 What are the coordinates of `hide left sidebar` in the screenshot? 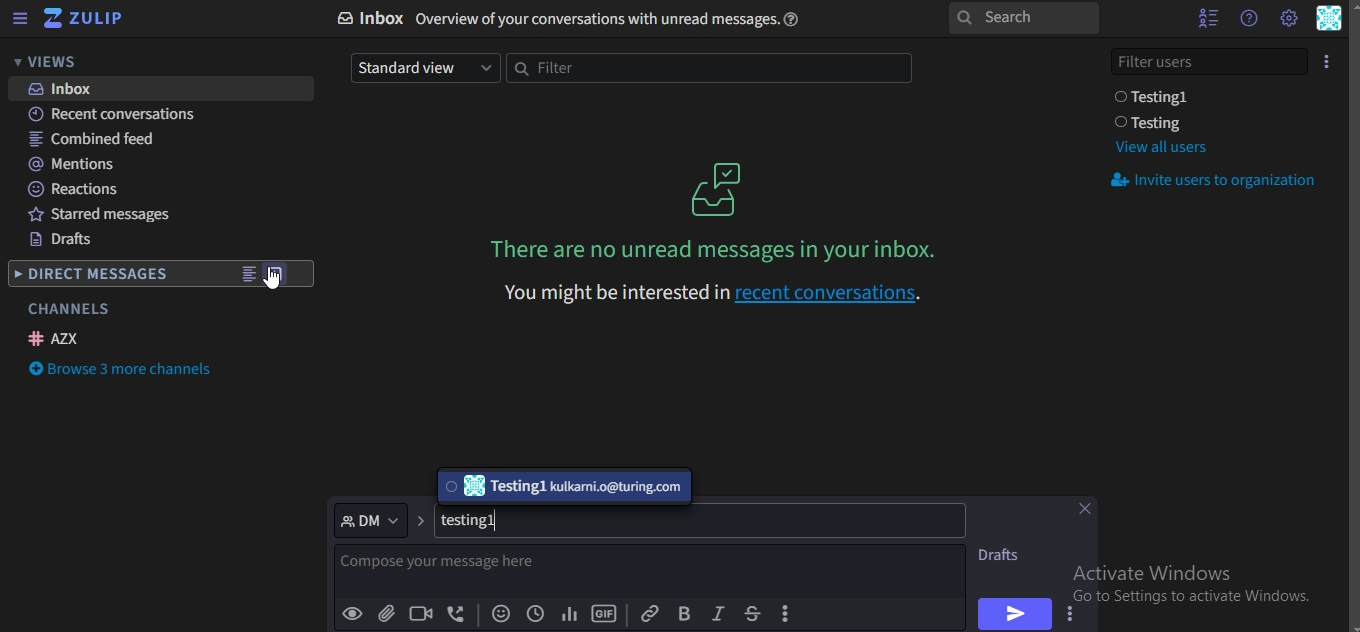 It's located at (20, 20).